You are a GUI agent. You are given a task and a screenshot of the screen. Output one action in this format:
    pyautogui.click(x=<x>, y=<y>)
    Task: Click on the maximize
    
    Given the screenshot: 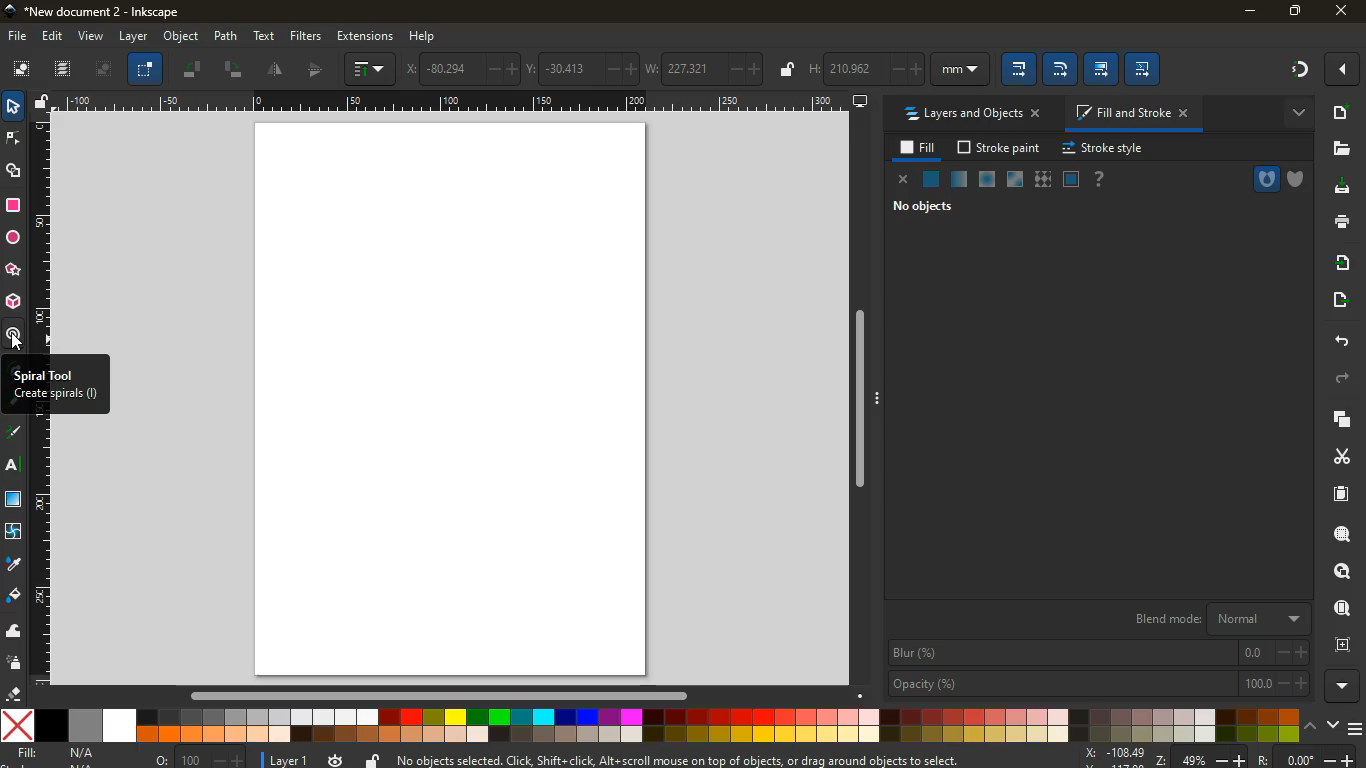 What is the action you would take?
    pyautogui.click(x=1293, y=10)
    